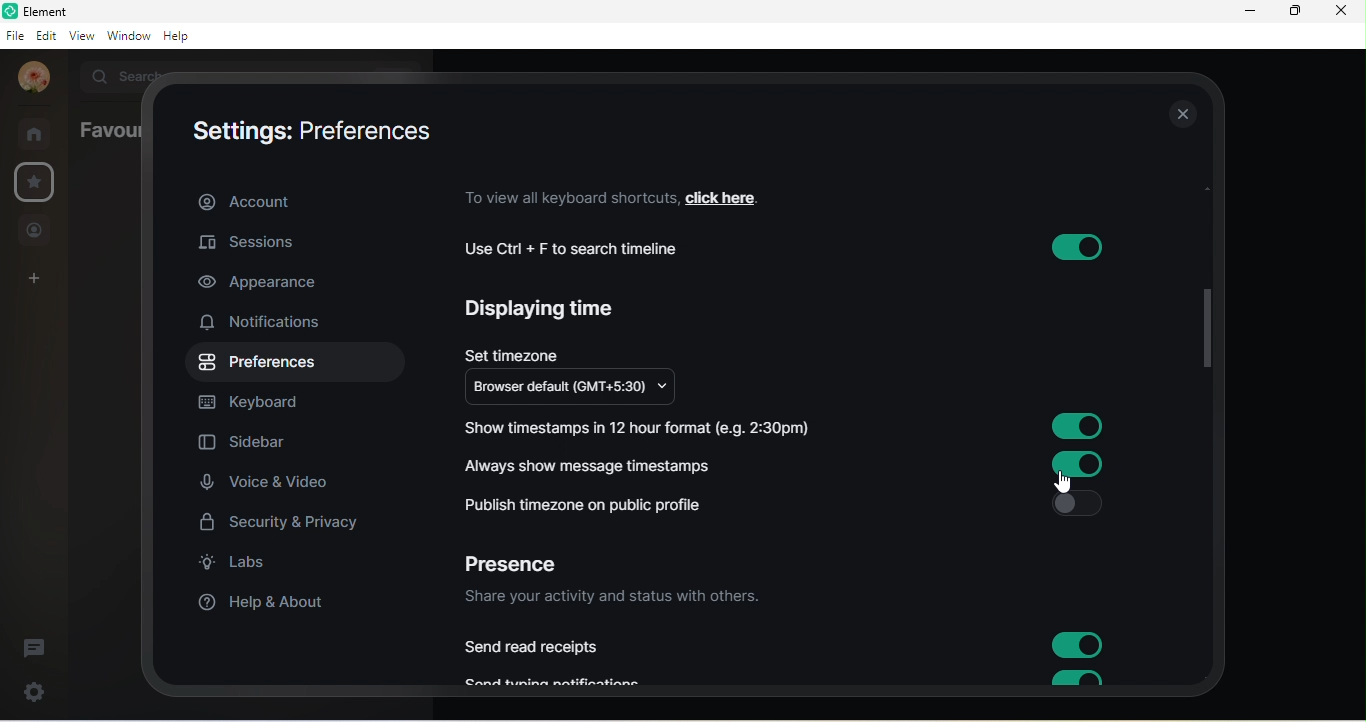 This screenshot has width=1366, height=722. Describe the element at coordinates (522, 559) in the screenshot. I see `presence` at that location.